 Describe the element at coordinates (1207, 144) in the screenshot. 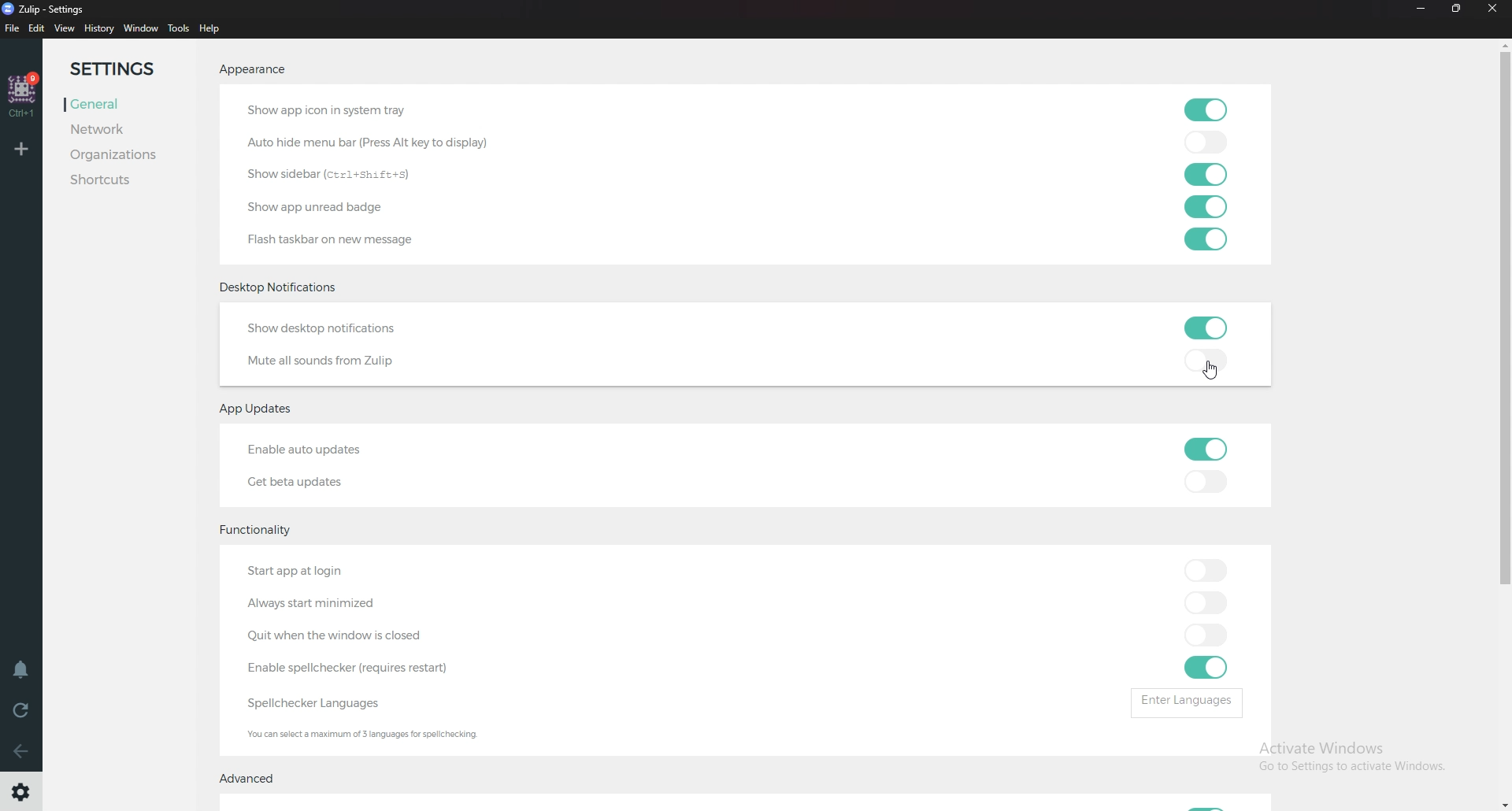

I see `toggle` at that location.